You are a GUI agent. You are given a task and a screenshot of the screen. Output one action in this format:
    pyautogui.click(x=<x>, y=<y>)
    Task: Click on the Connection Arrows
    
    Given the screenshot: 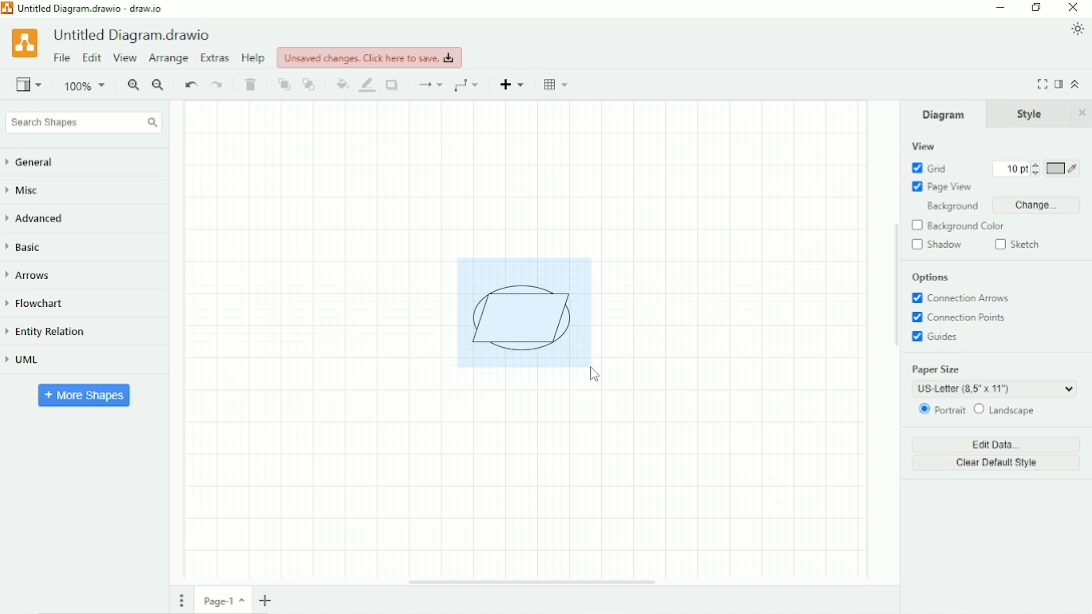 What is the action you would take?
    pyautogui.click(x=962, y=298)
    